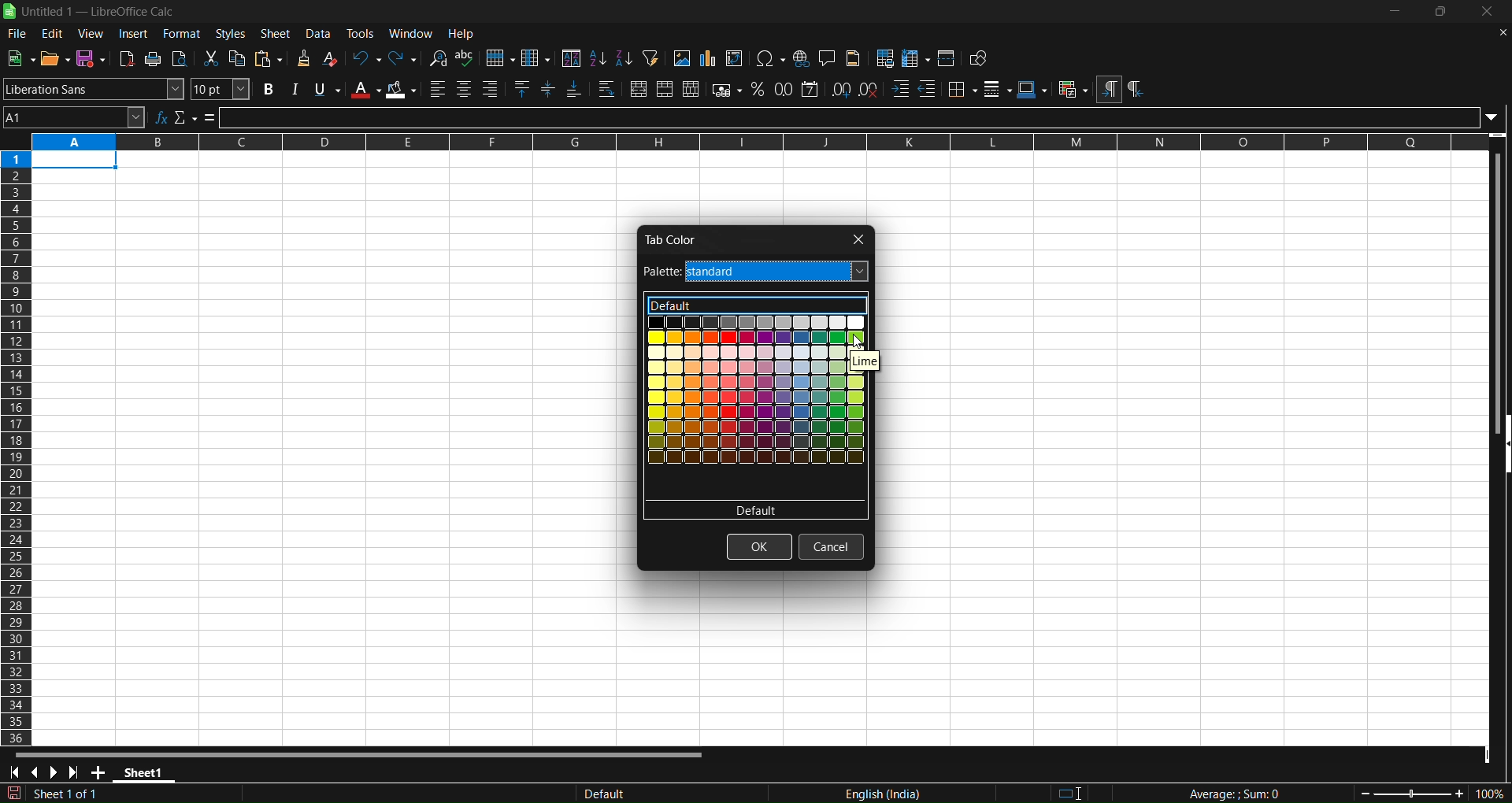  Describe the element at coordinates (438, 89) in the screenshot. I see `align left` at that location.